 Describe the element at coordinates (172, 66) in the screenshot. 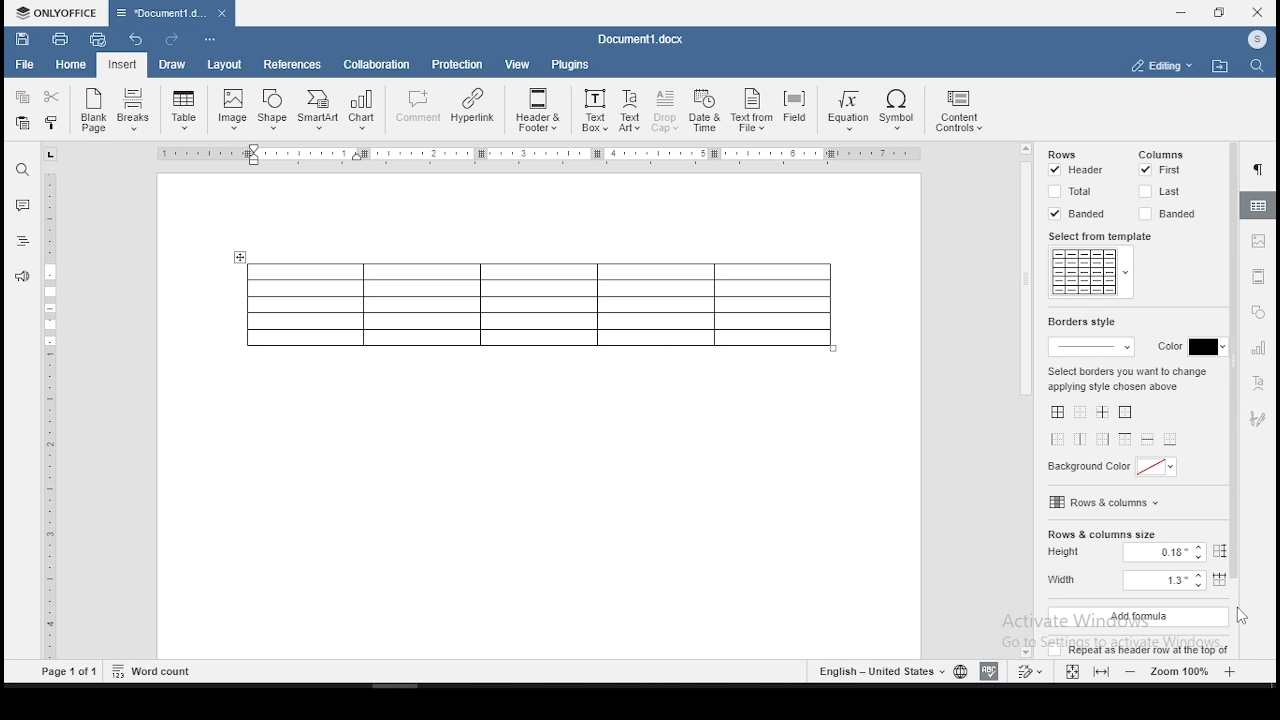

I see `draw` at that location.